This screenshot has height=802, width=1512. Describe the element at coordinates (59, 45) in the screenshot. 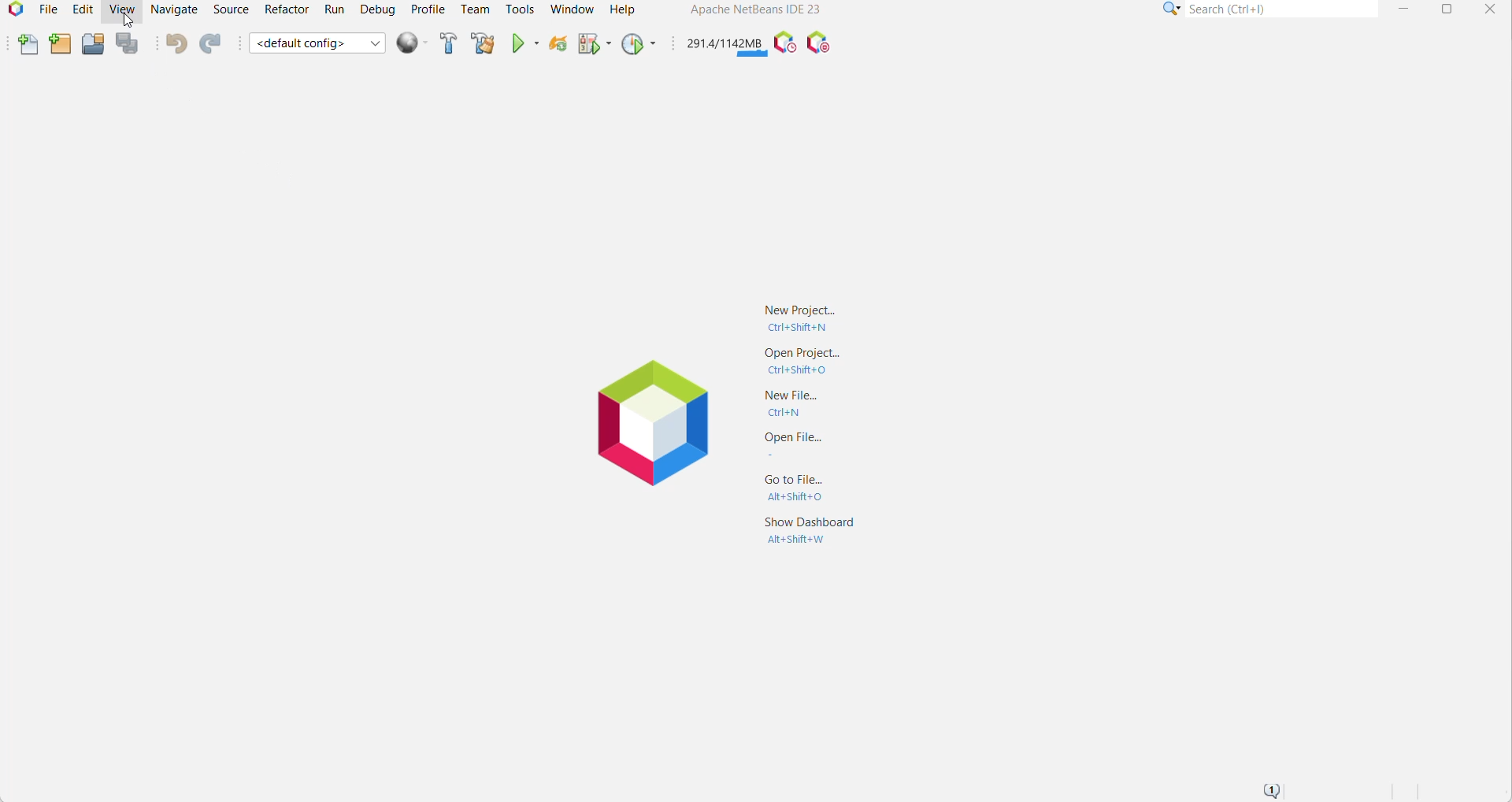

I see `New Project` at that location.